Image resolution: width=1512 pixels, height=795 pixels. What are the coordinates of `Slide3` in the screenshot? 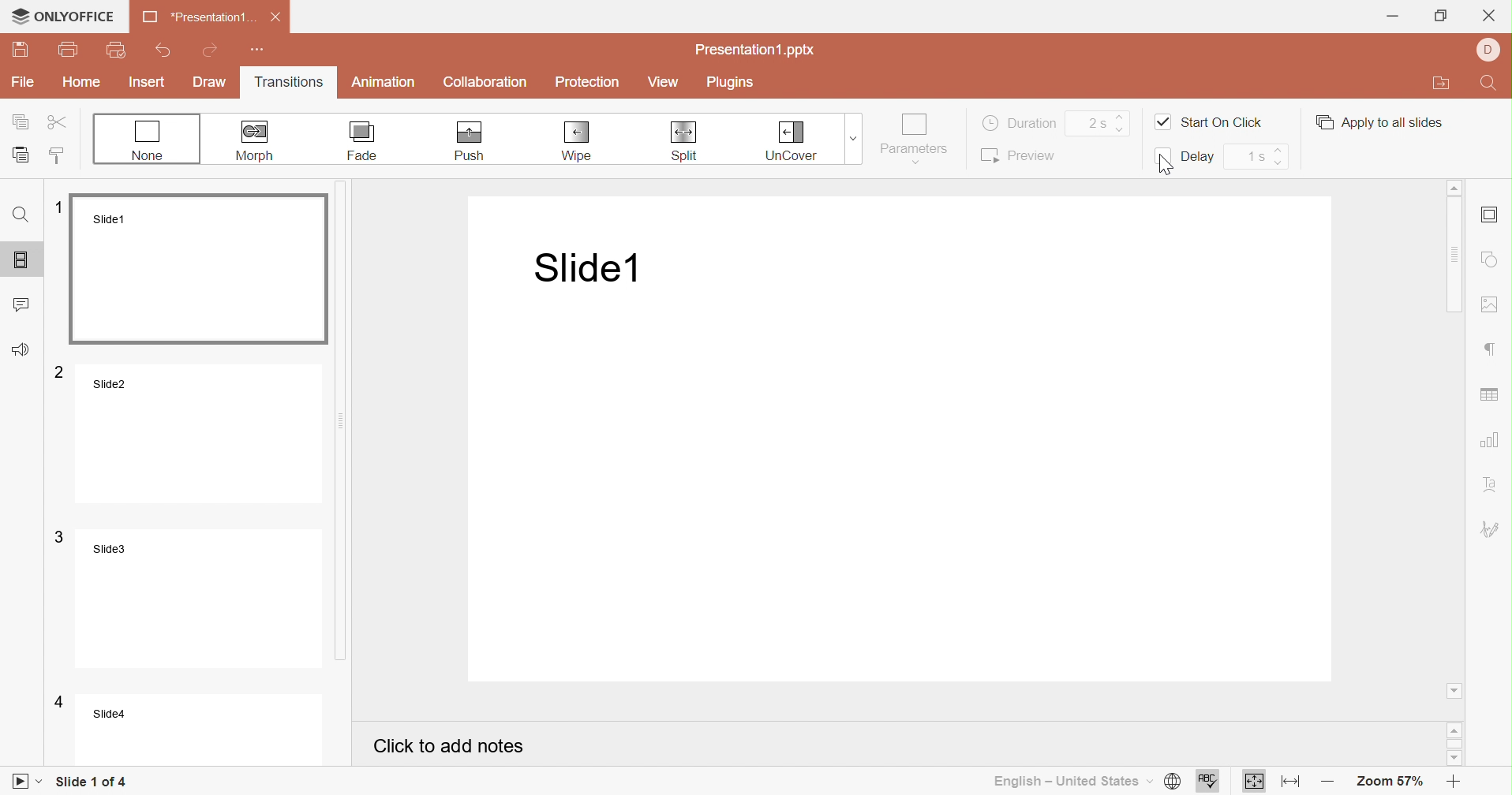 It's located at (204, 597).